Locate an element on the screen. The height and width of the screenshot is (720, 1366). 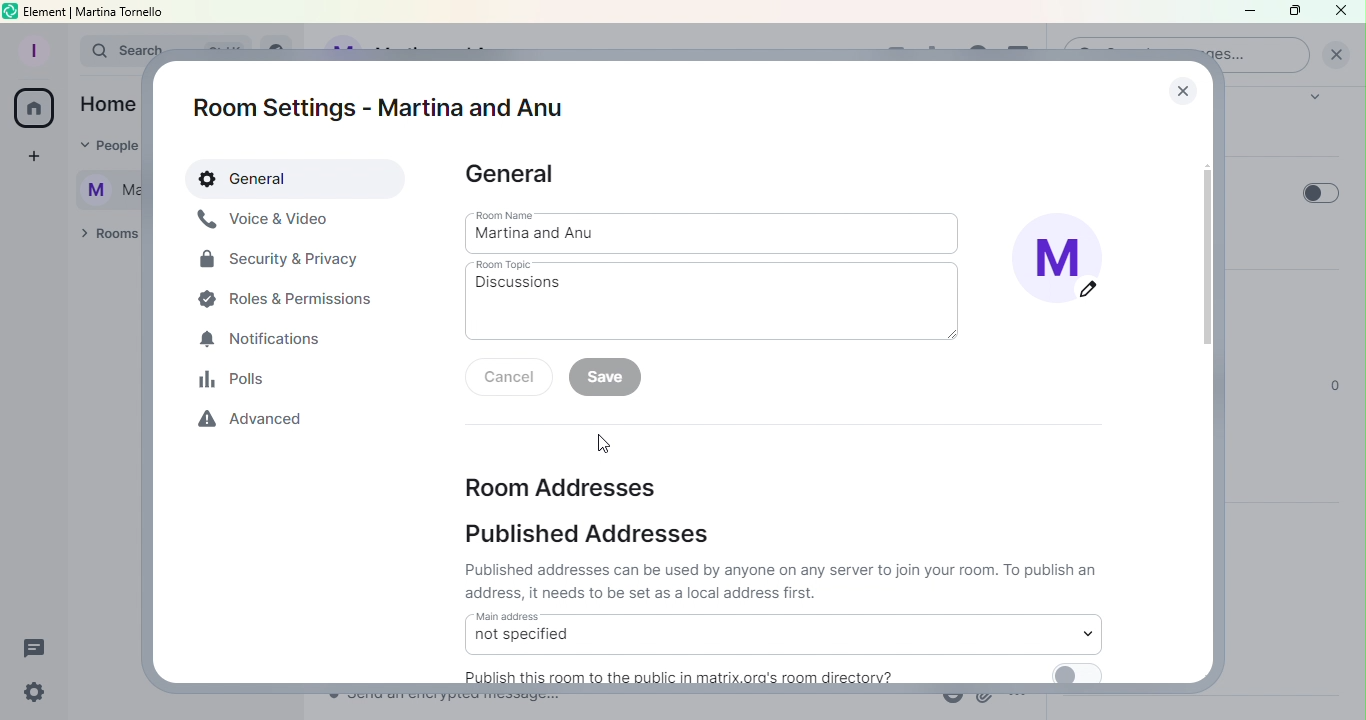
Display image is located at coordinates (1067, 264).